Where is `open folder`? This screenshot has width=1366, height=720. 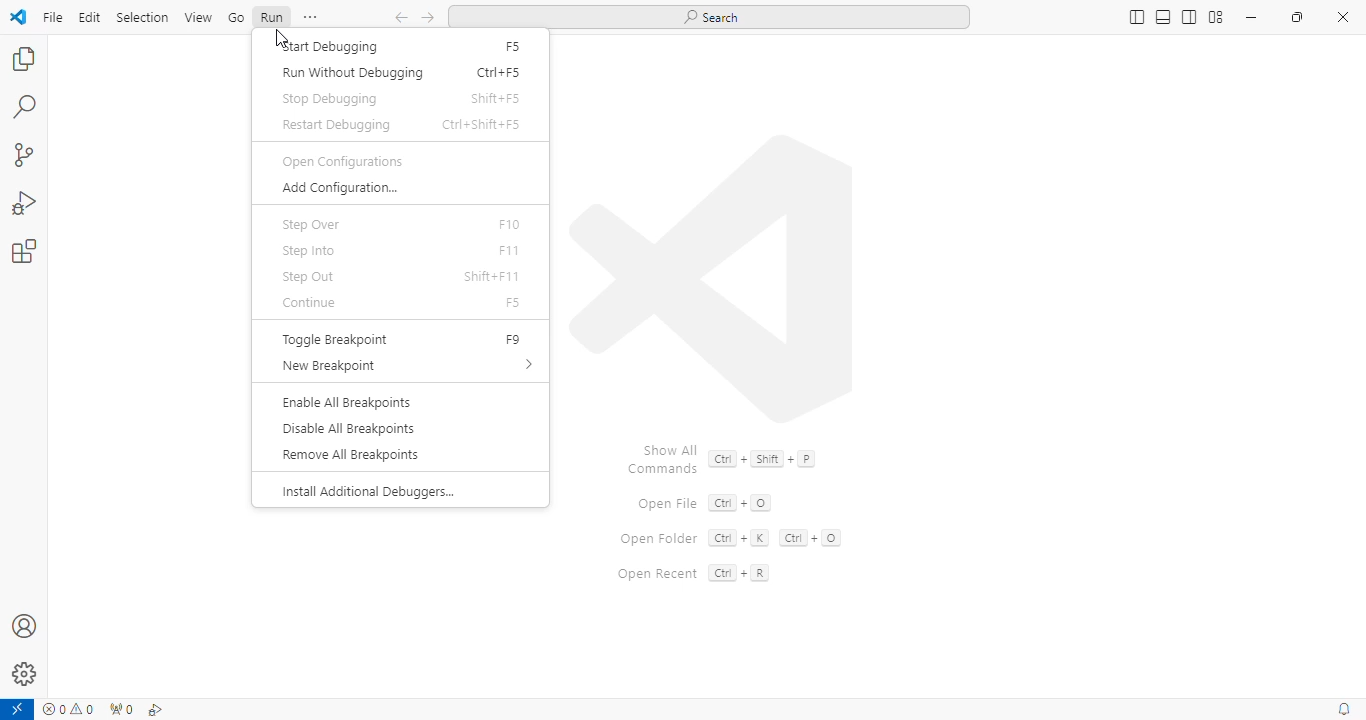 open folder is located at coordinates (657, 539).